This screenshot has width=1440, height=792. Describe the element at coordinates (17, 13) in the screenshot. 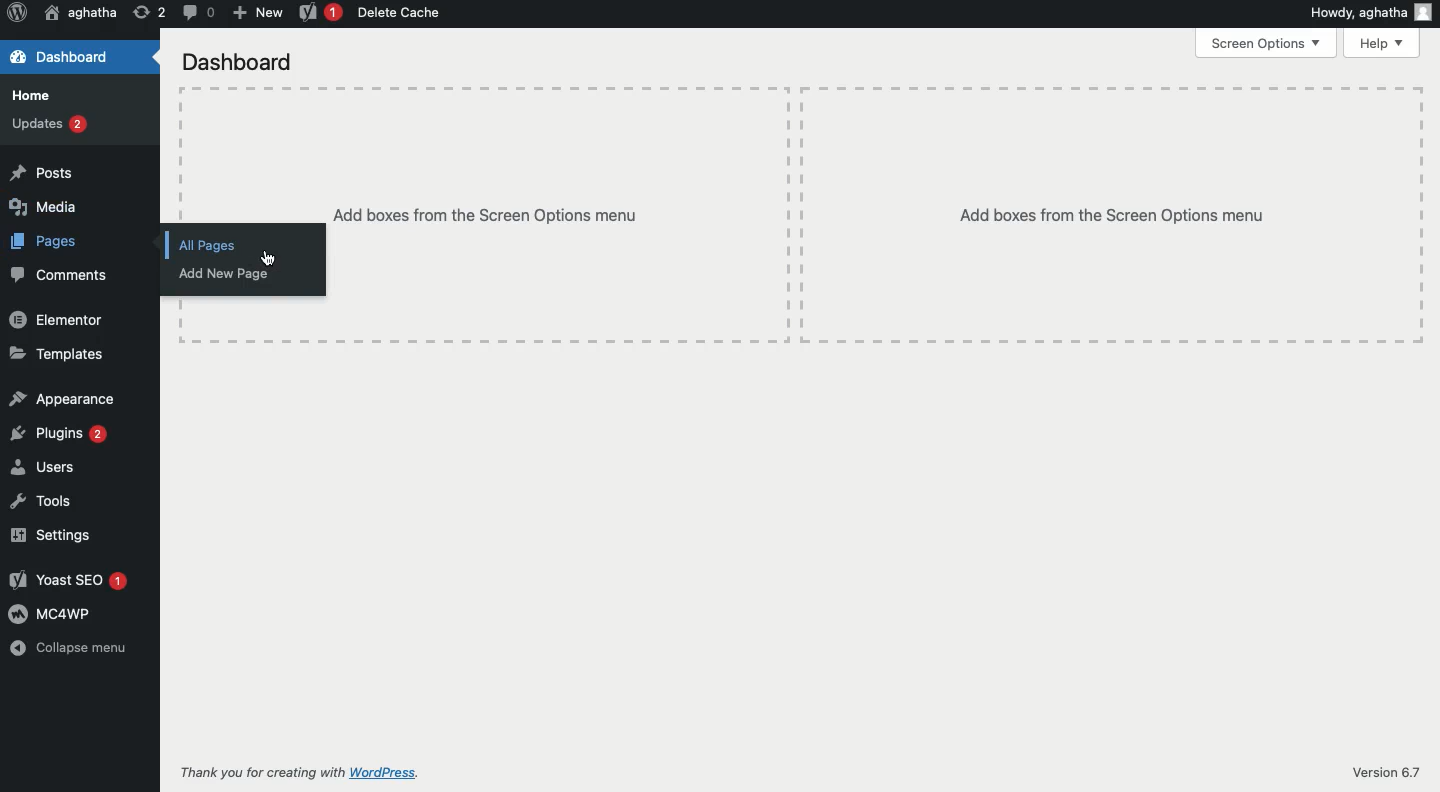

I see `Logo` at that location.